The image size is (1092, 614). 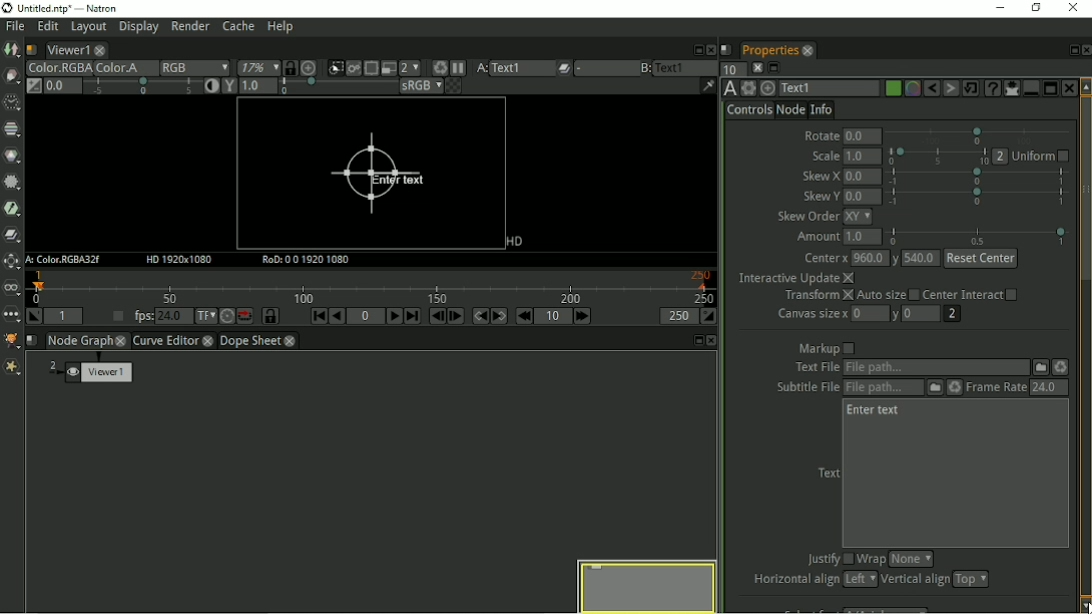 I want to click on cursor, so click(x=1085, y=605).